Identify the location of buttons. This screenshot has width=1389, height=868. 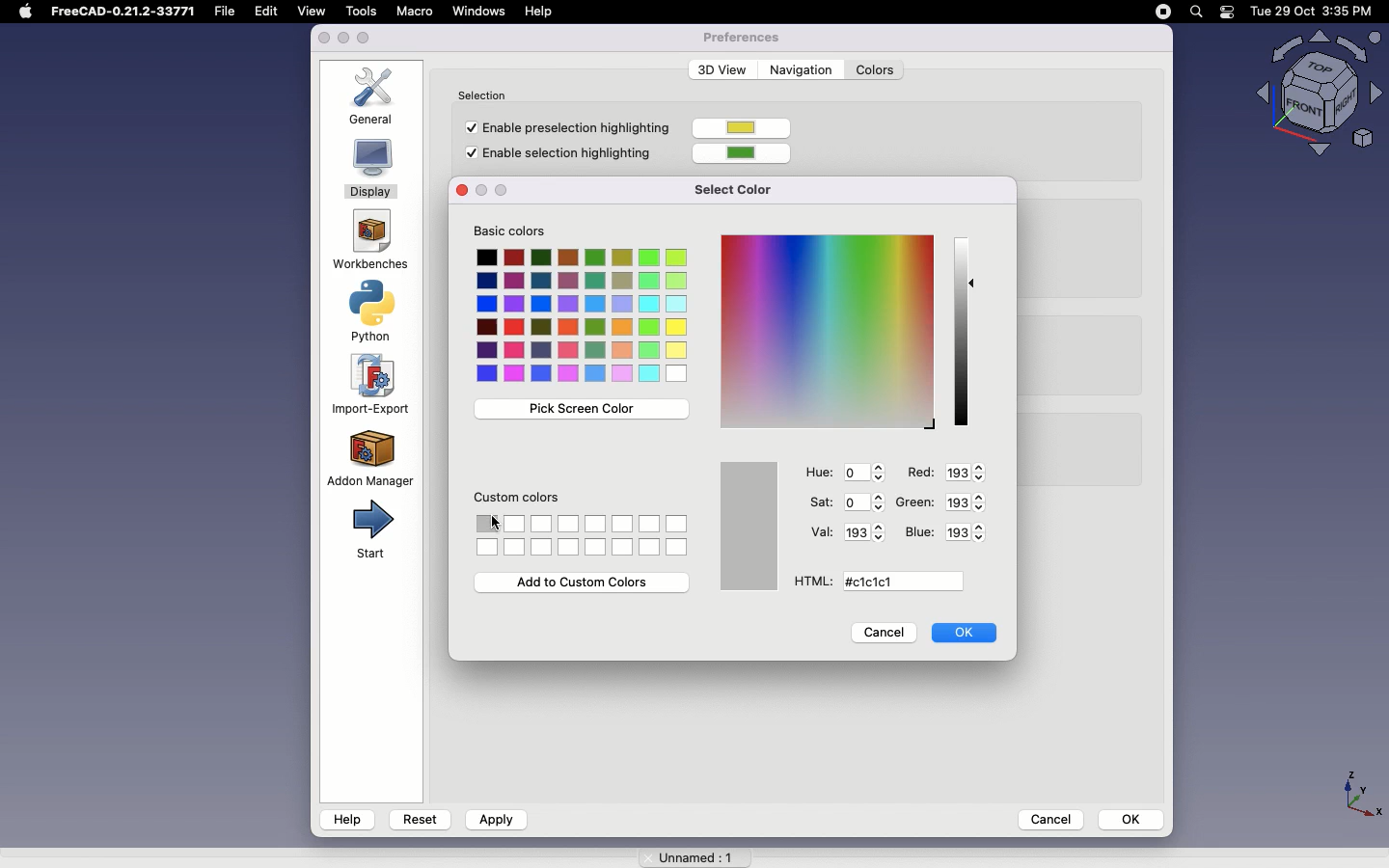
(496, 189).